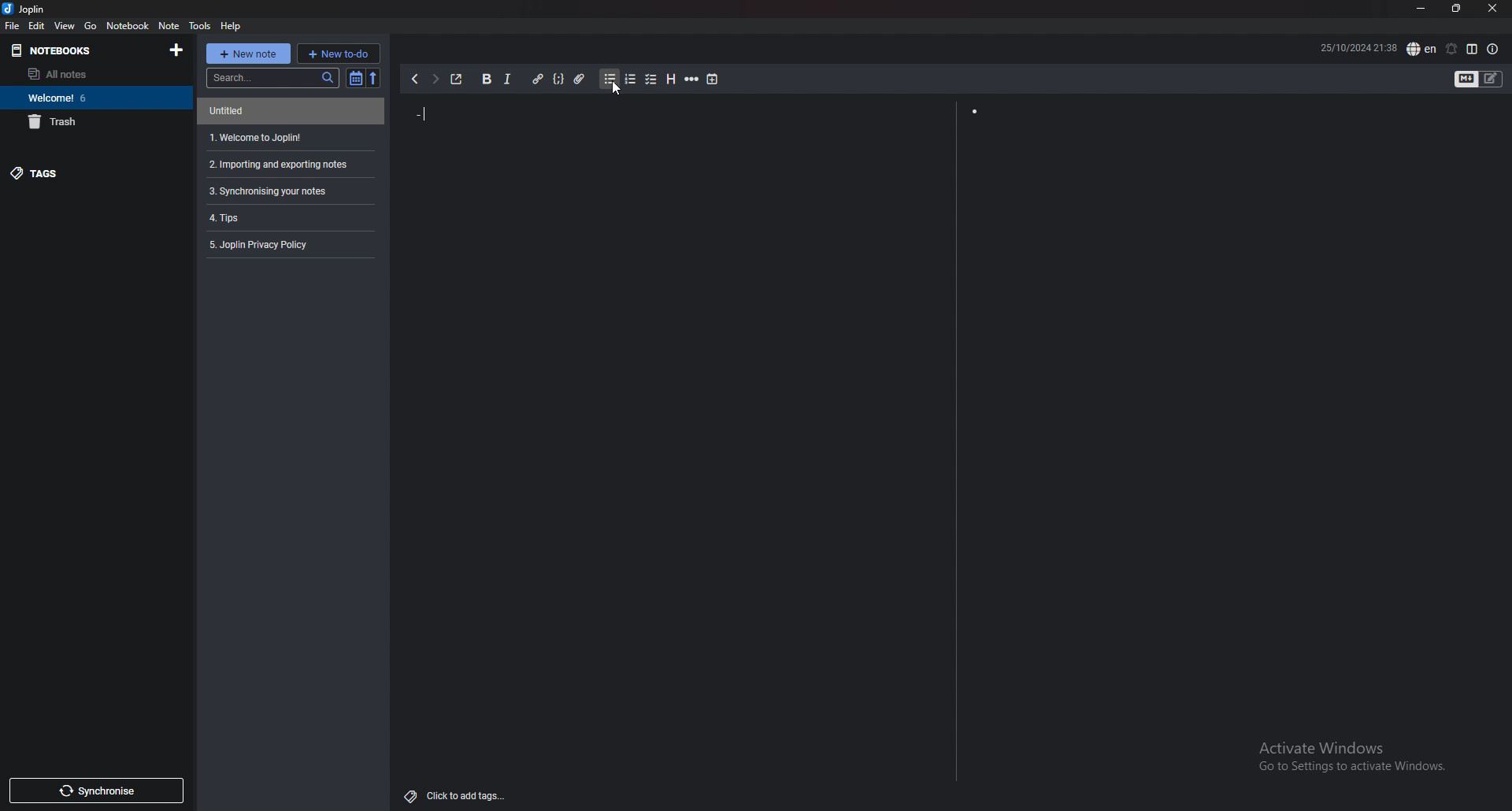  Describe the element at coordinates (53, 98) in the screenshot. I see `Welcome` at that location.